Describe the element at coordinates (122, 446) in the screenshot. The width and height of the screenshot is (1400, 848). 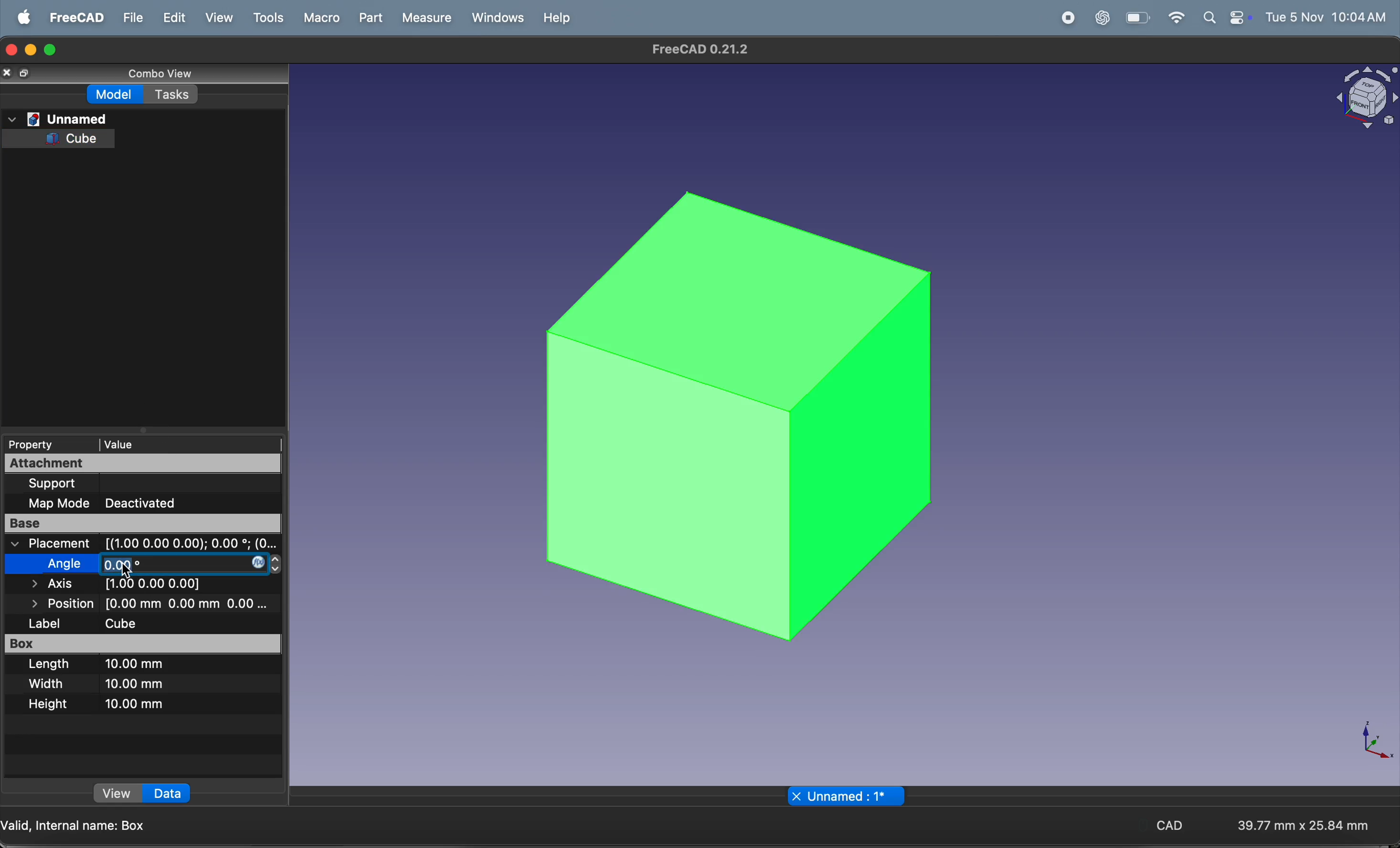
I see `| Value` at that location.